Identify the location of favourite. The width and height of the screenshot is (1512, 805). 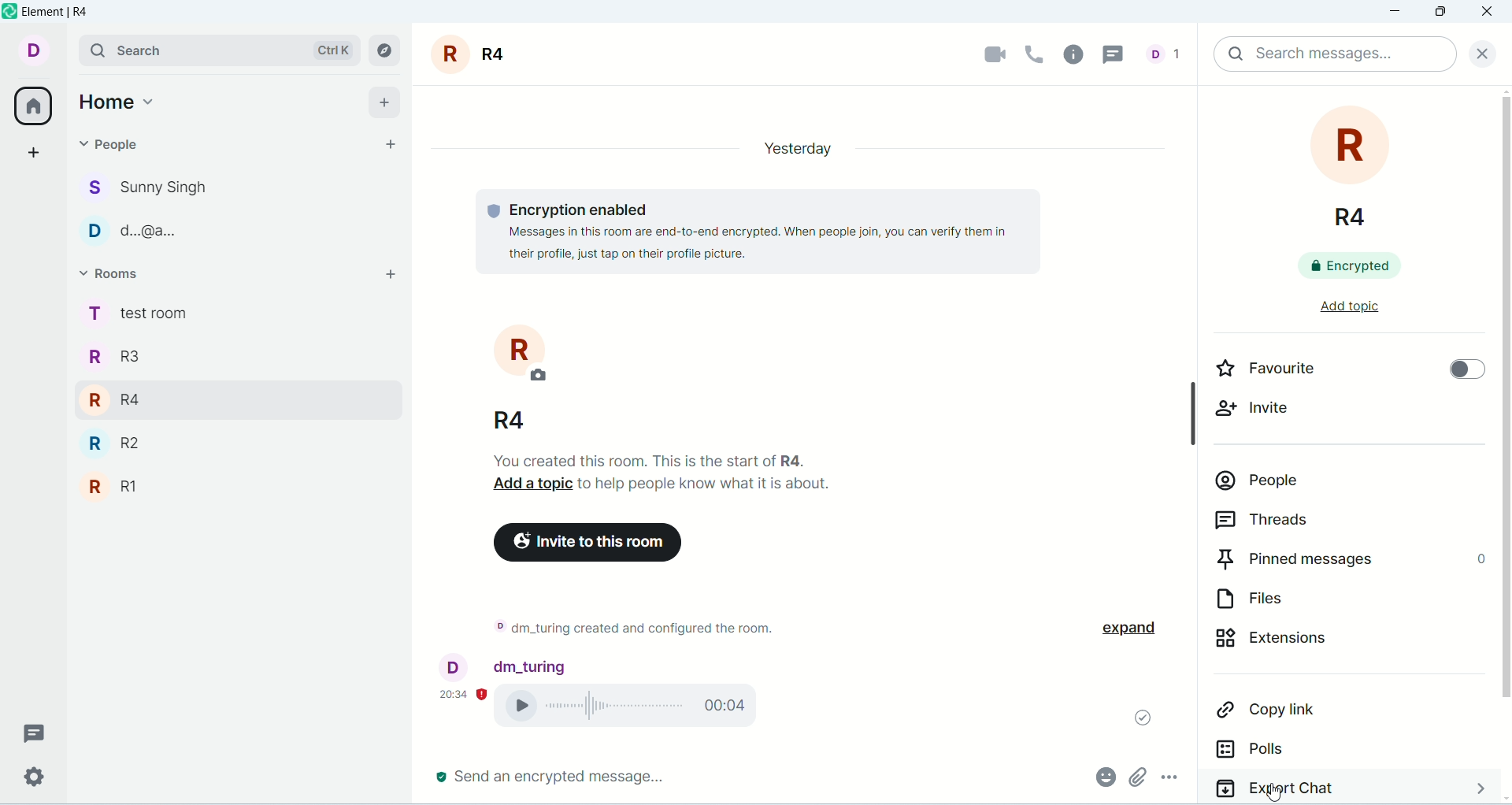
(1287, 369).